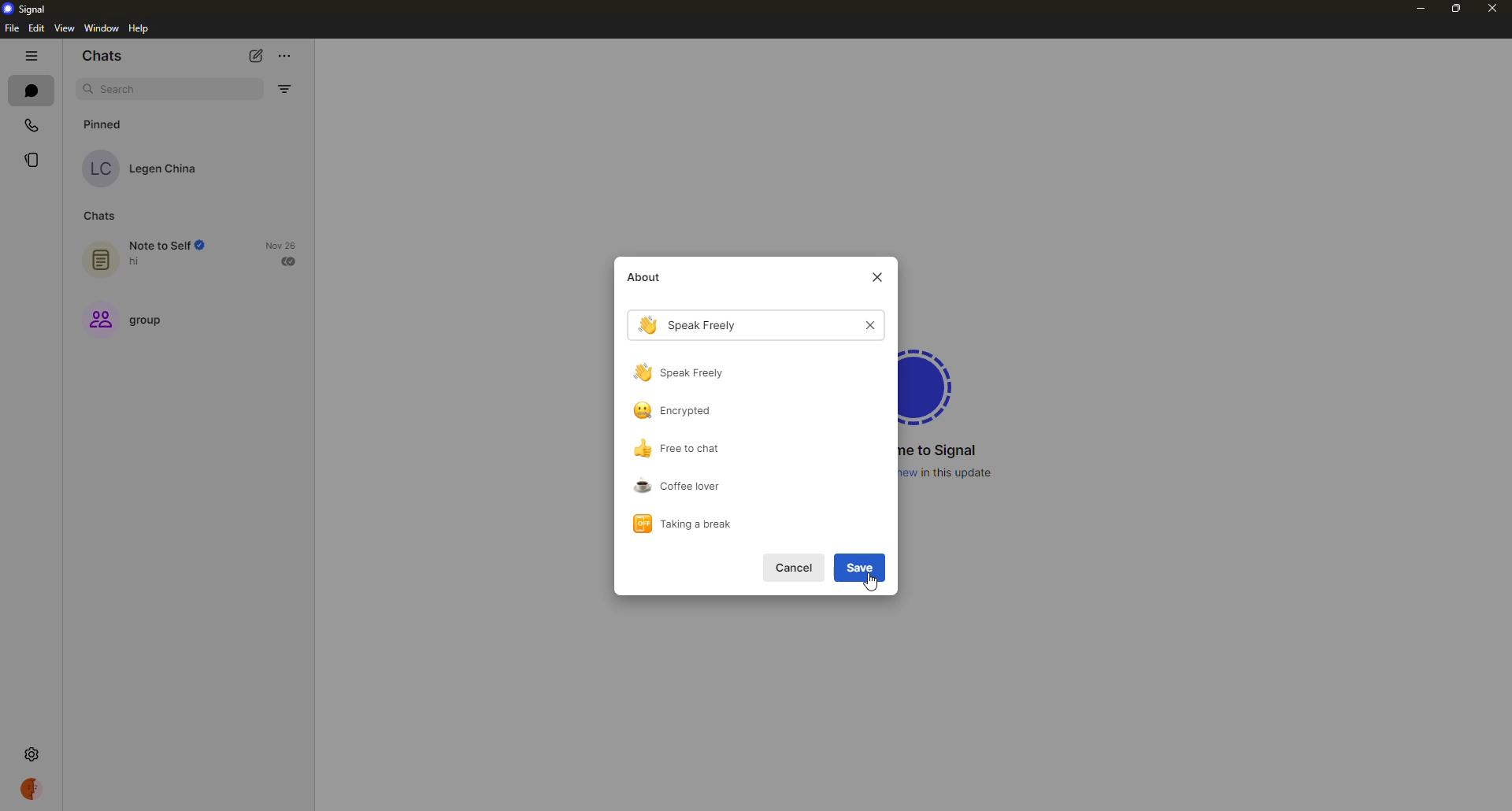  Describe the element at coordinates (876, 275) in the screenshot. I see `close` at that location.